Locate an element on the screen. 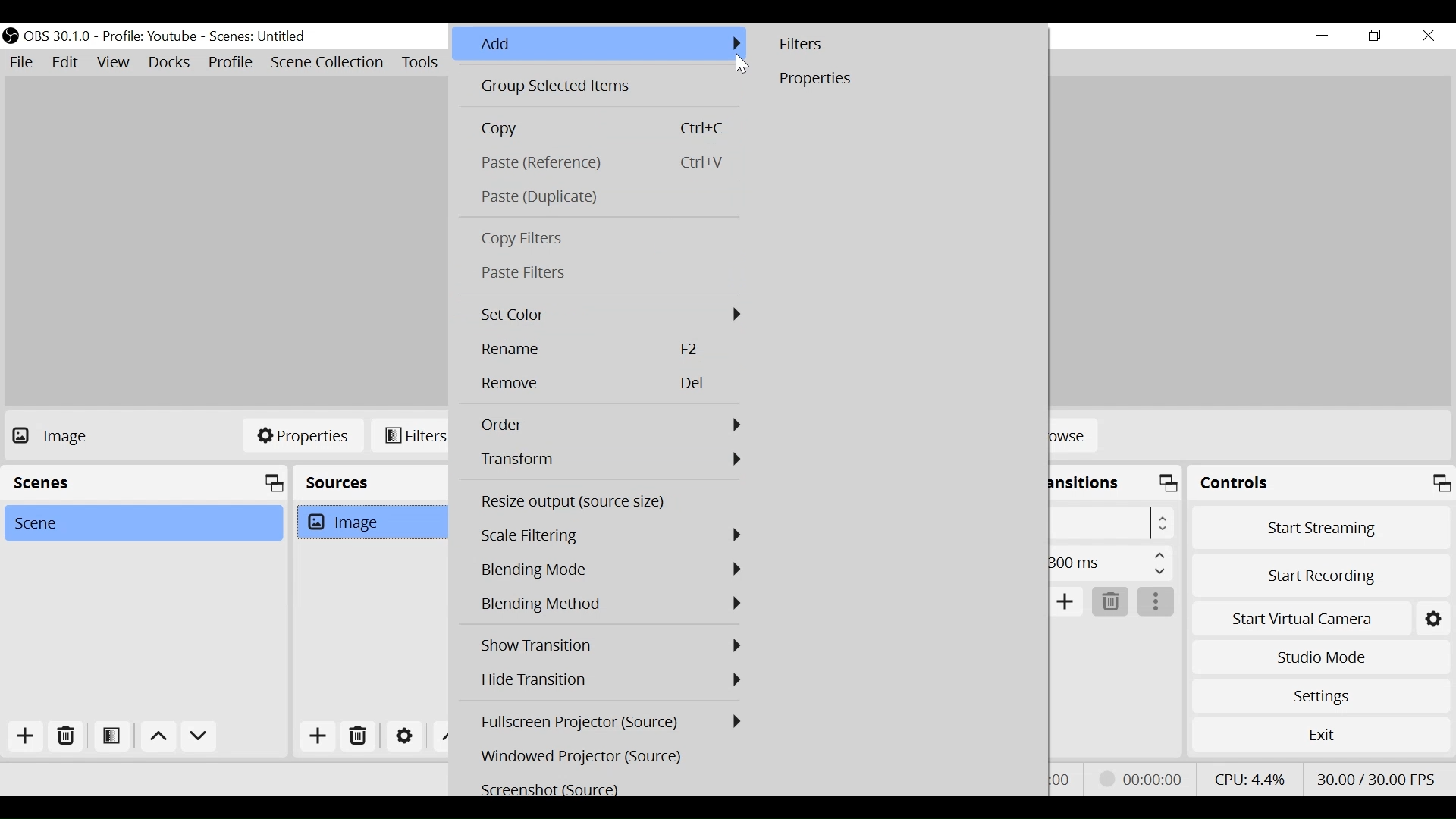 This screenshot has height=819, width=1456. Profile is located at coordinates (234, 64).